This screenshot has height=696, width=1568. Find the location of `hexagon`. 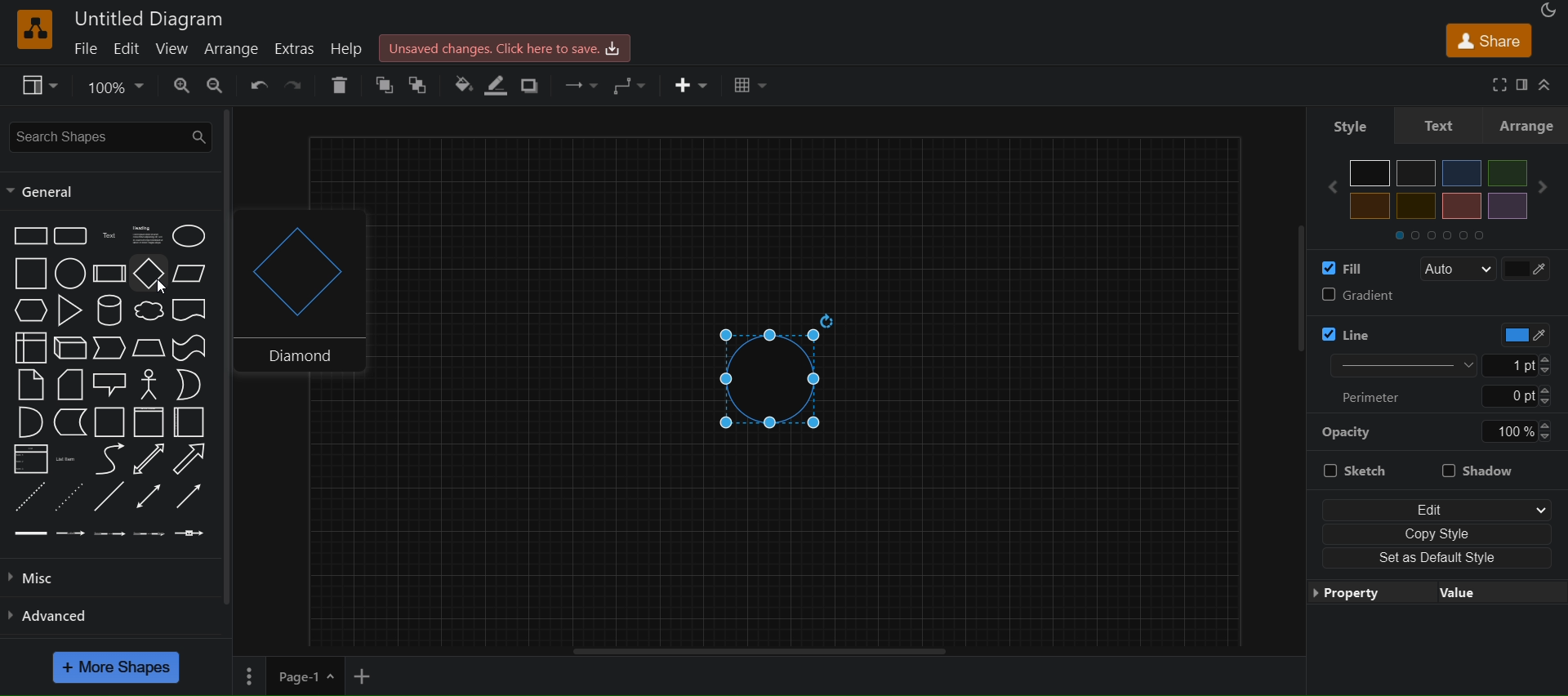

hexagon is located at coordinates (33, 310).